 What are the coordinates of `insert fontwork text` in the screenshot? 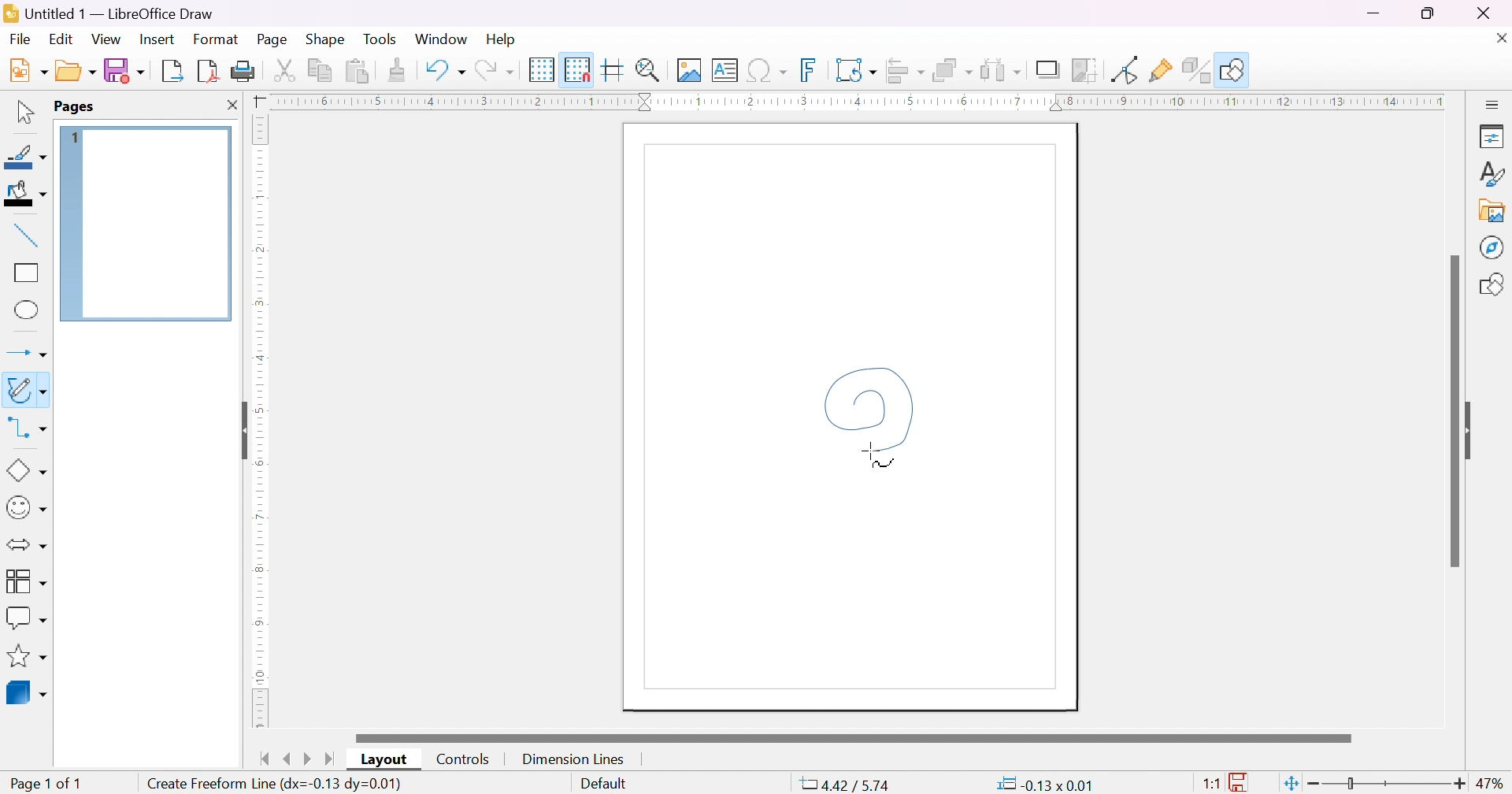 It's located at (809, 69).